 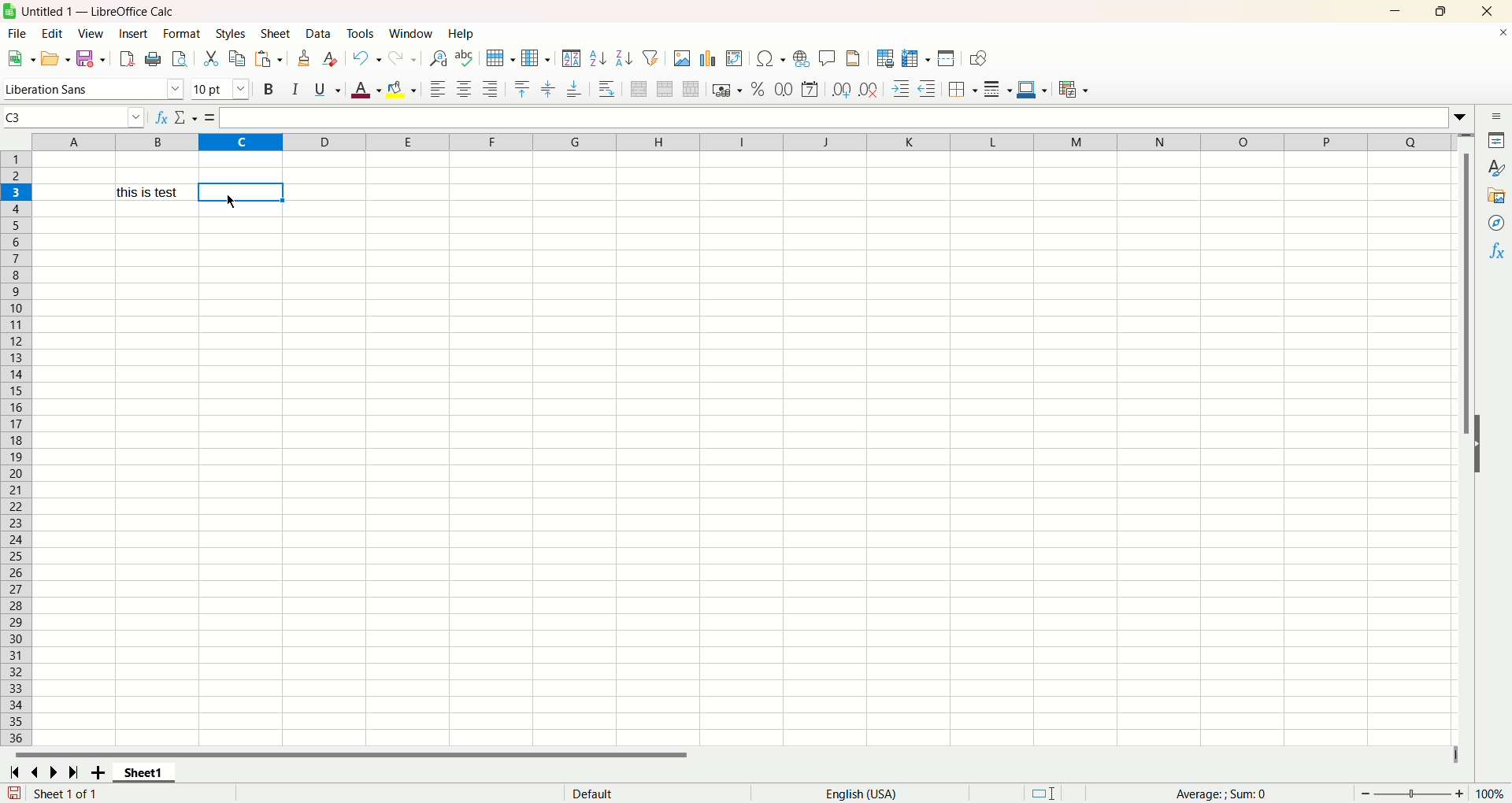 What do you see at coordinates (1214, 792) in the screenshot?
I see `functions` at bounding box center [1214, 792].